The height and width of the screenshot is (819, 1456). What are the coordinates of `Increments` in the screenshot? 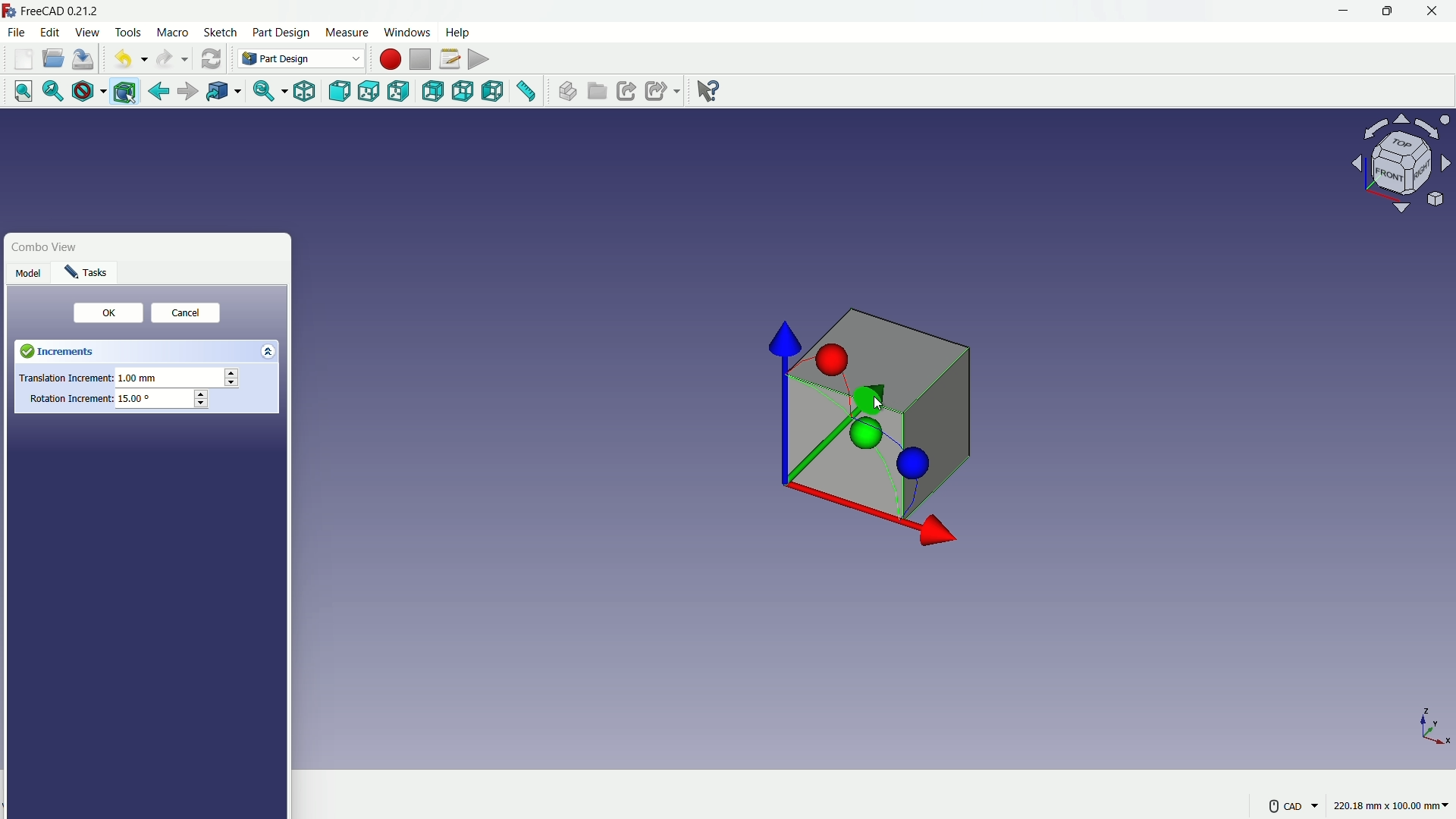 It's located at (93, 350).